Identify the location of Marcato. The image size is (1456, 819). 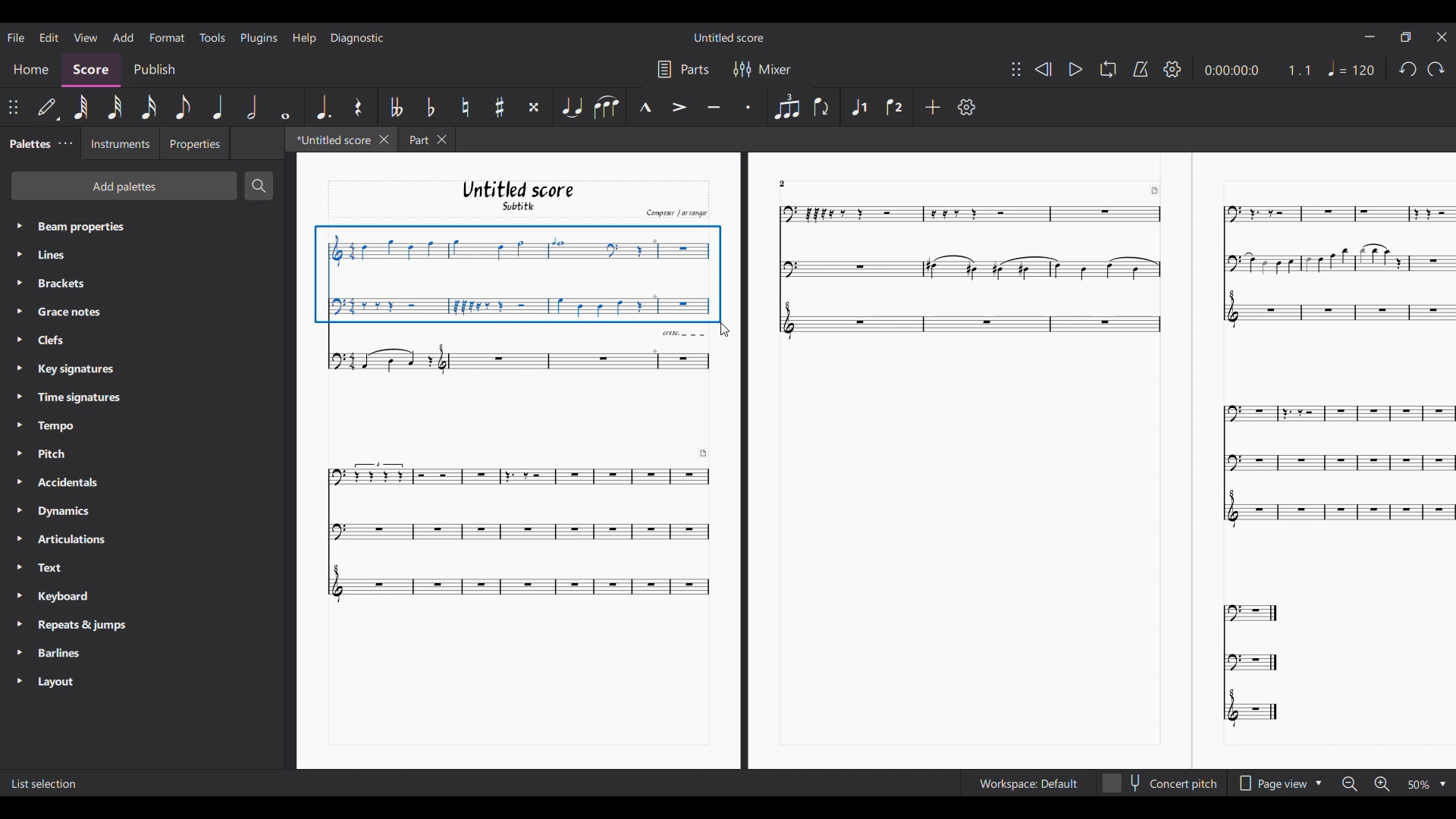
(645, 107).